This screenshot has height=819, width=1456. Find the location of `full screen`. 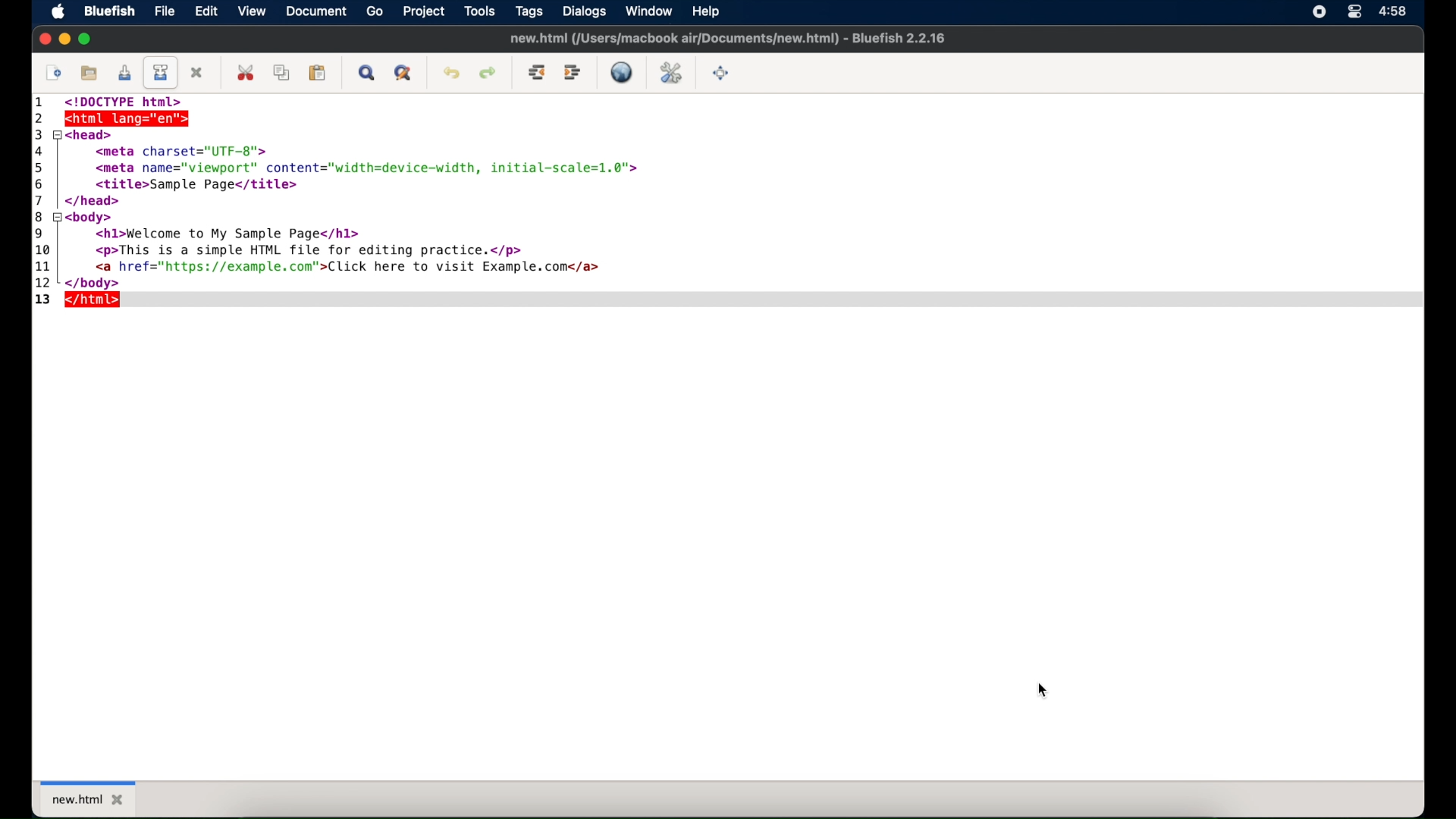

full screen is located at coordinates (721, 74).